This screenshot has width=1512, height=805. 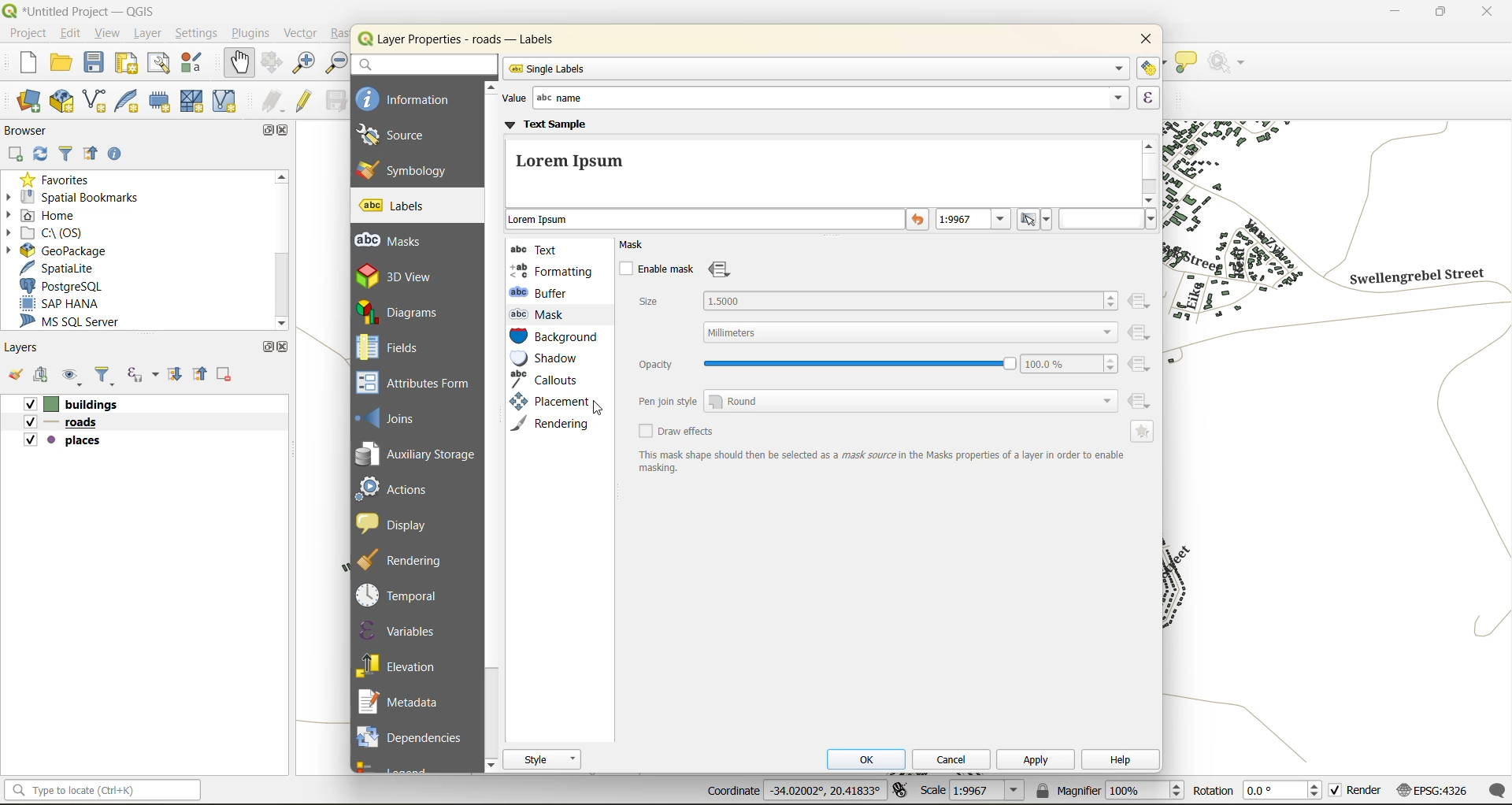 What do you see at coordinates (197, 35) in the screenshot?
I see `settings` at bounding box center [197, 35].